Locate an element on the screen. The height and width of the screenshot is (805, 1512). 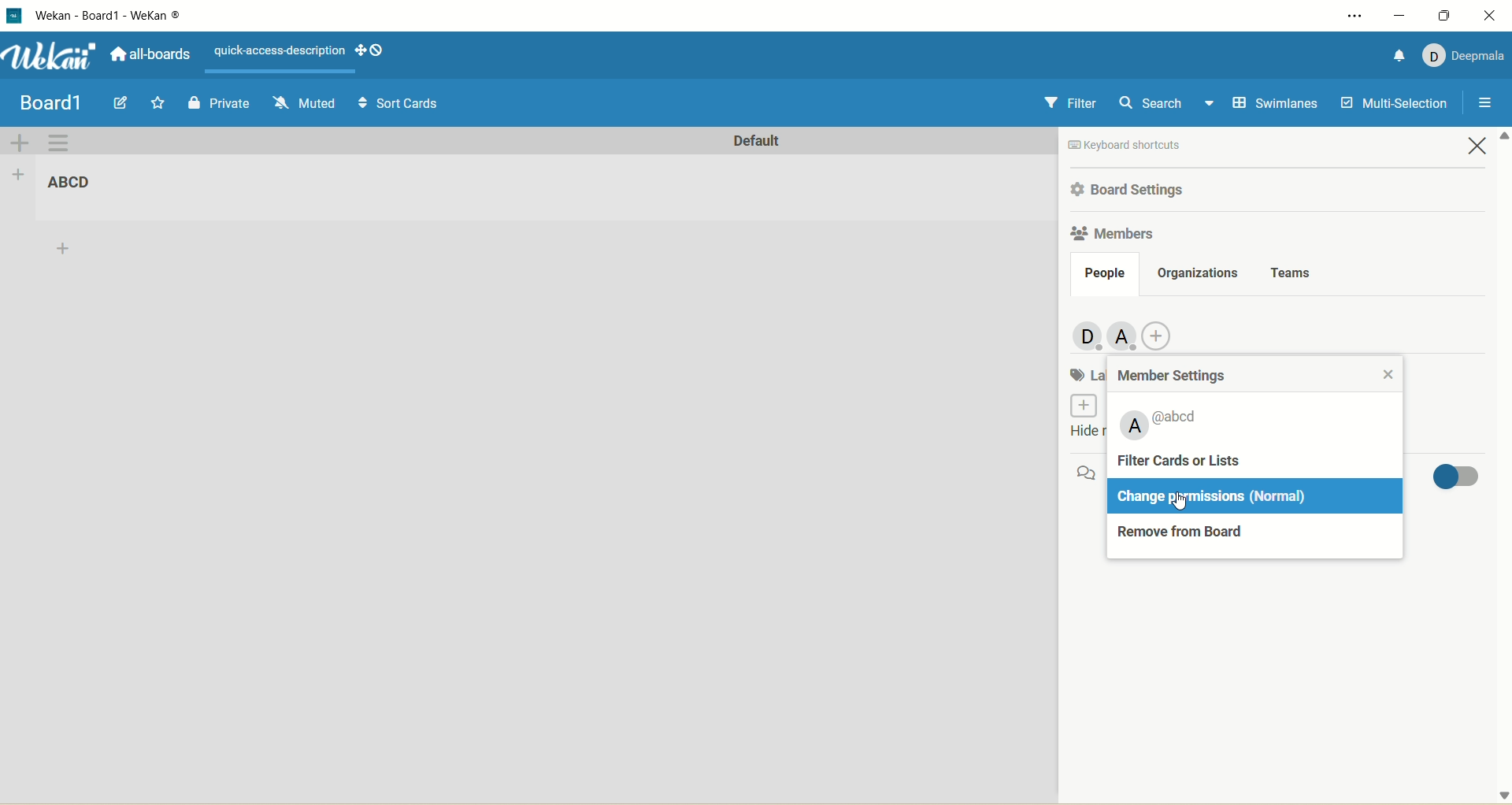
Private is located at coordinates (220, 102).